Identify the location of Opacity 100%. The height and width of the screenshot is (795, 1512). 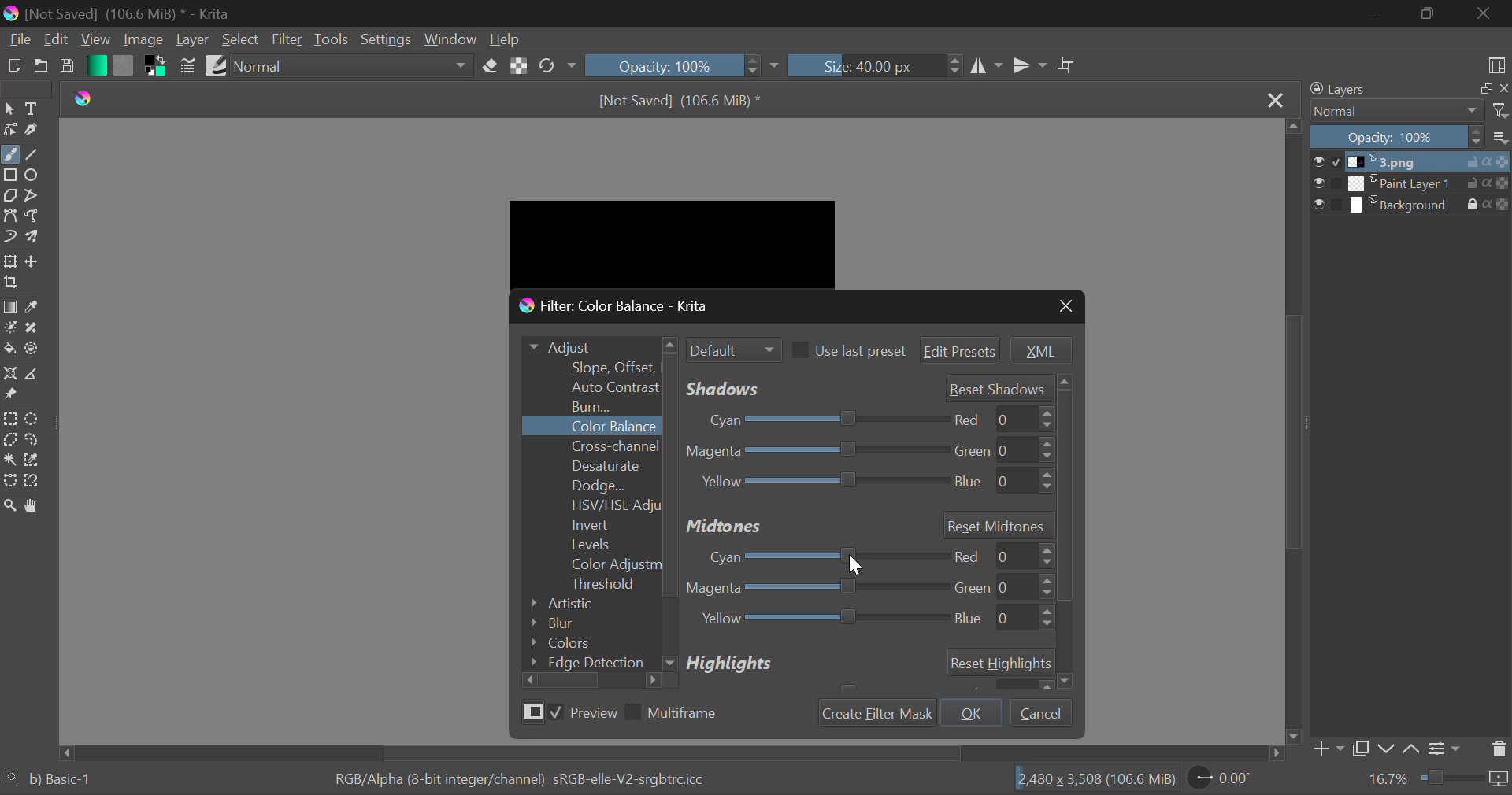
(684, 64).